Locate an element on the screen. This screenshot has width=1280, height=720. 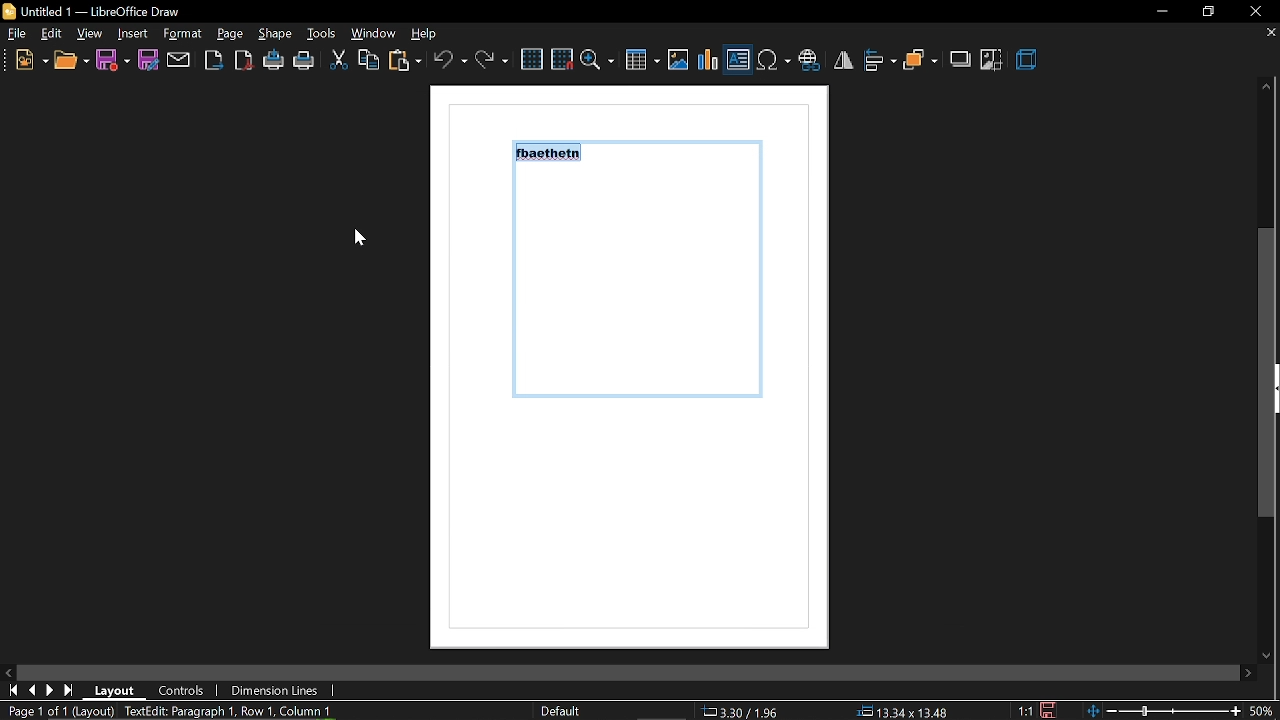
save as is located at coordinates (146, 59).